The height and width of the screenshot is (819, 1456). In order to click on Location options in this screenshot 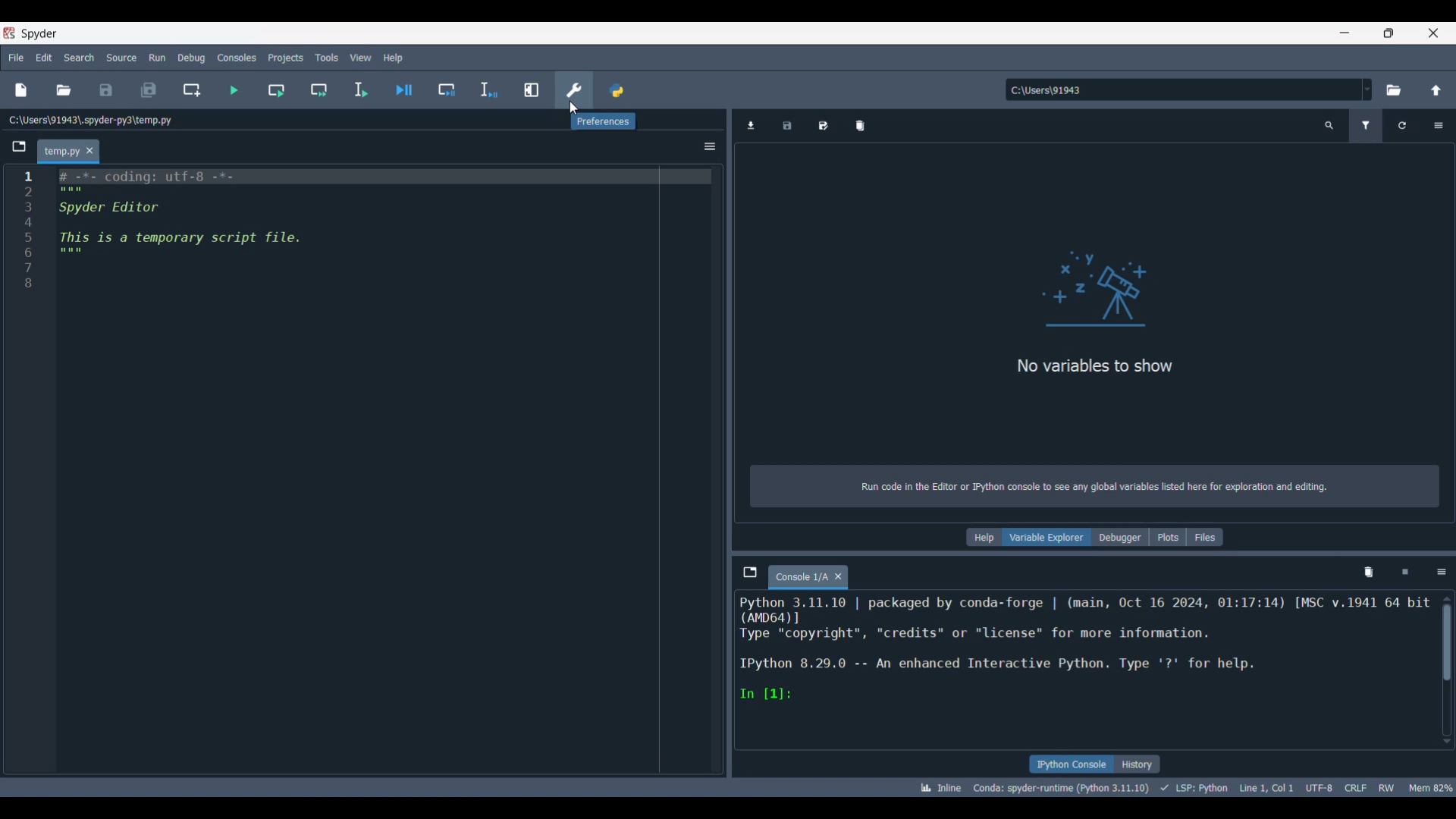, I will do `click(1367, 89)`.